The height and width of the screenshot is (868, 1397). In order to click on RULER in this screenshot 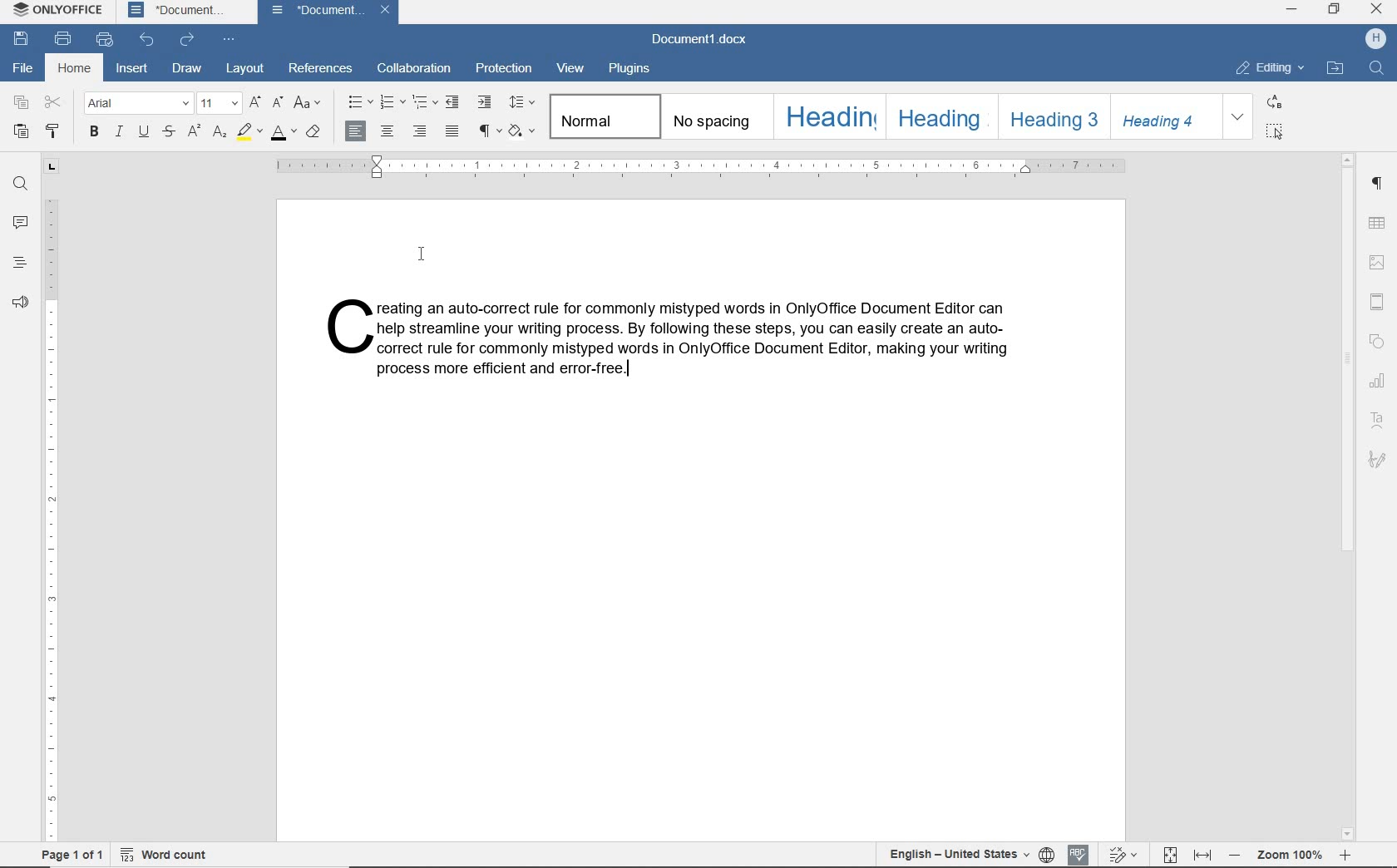, I will do `click(703, 167)`.